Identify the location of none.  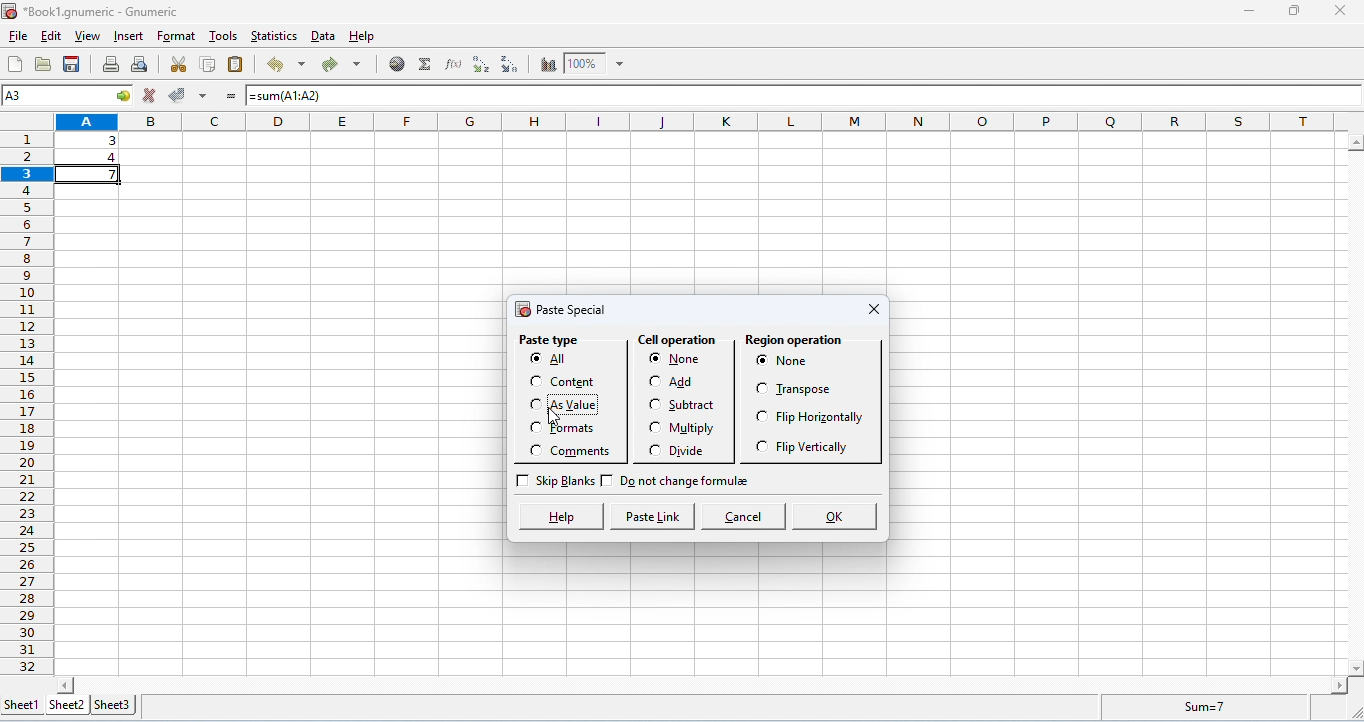
(688, 360).